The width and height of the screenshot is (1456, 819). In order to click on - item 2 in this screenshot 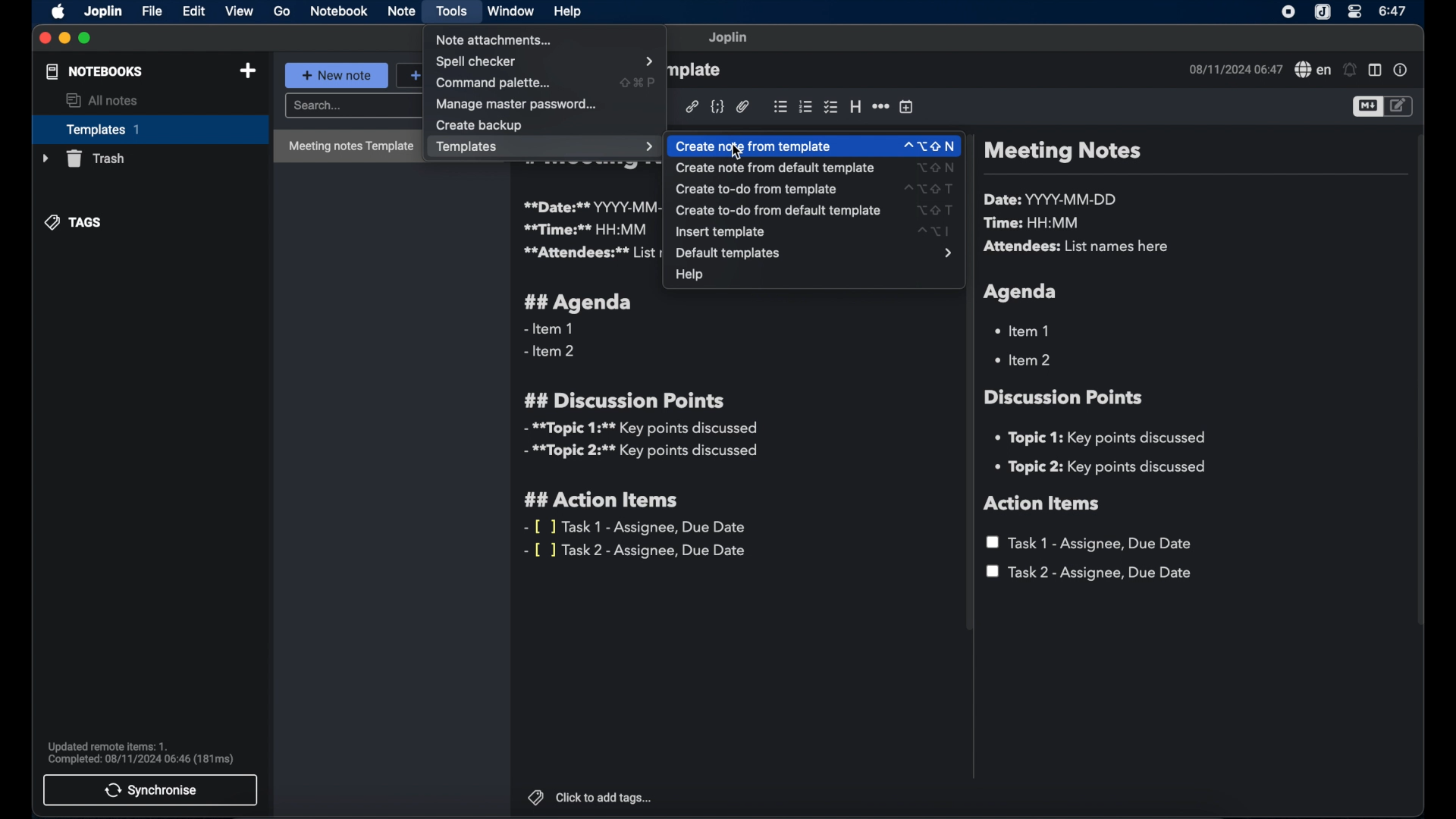, I will do `click(551, 352)`.